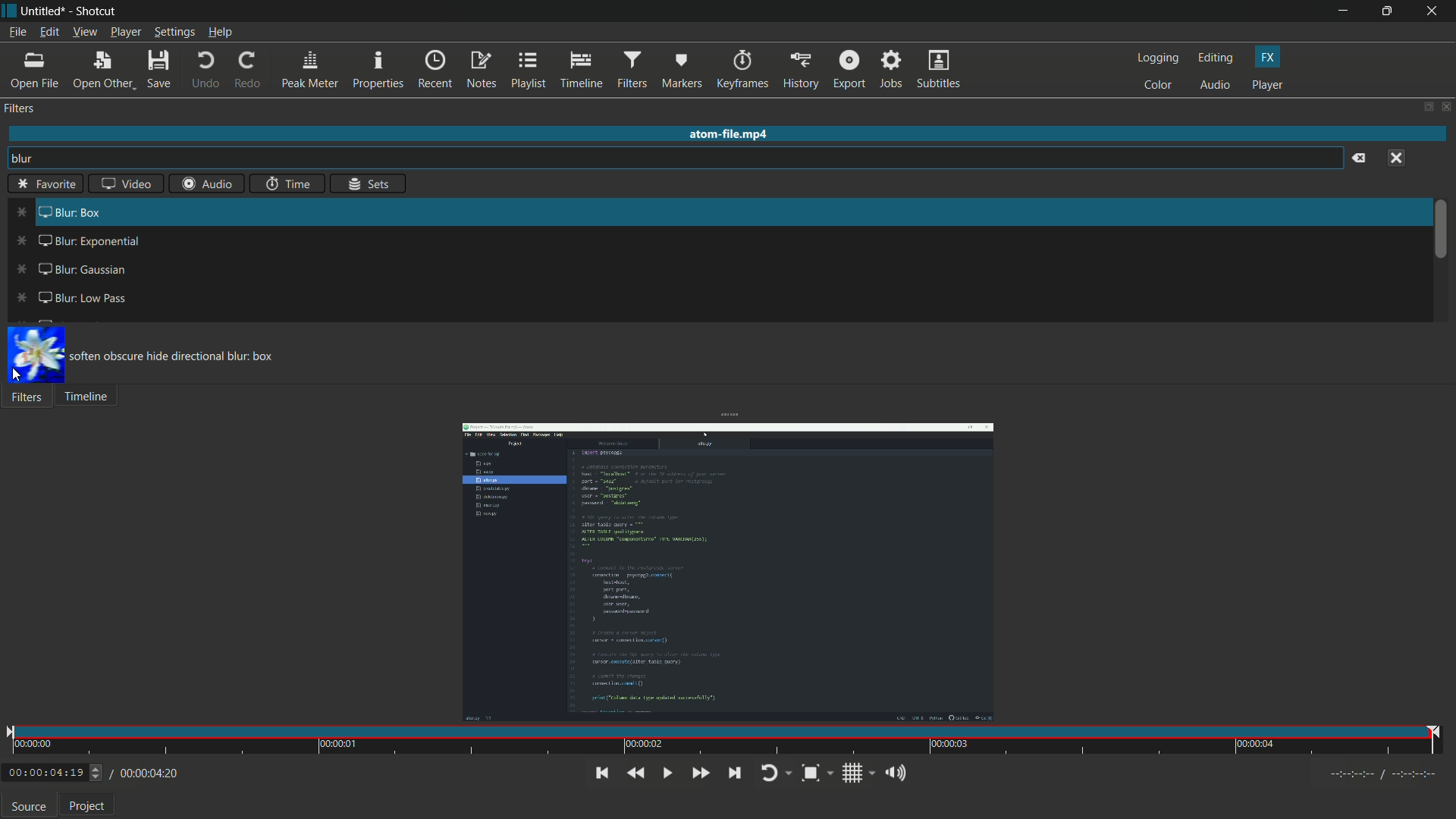  Describe the element at coordinates (222, 33) in the screenshot. I see `help menu` at that location.